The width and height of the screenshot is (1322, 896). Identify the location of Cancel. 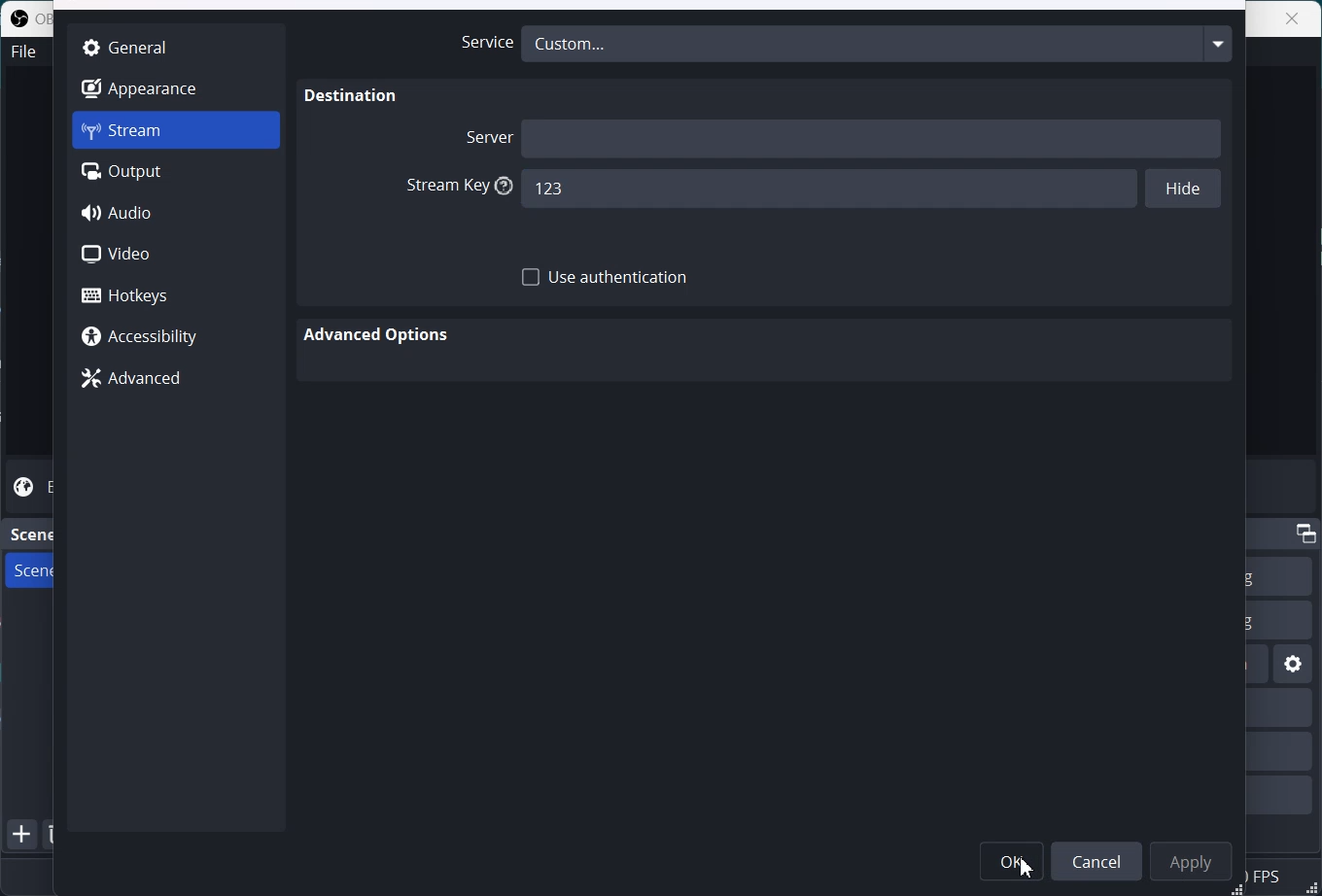
(1100, 858).